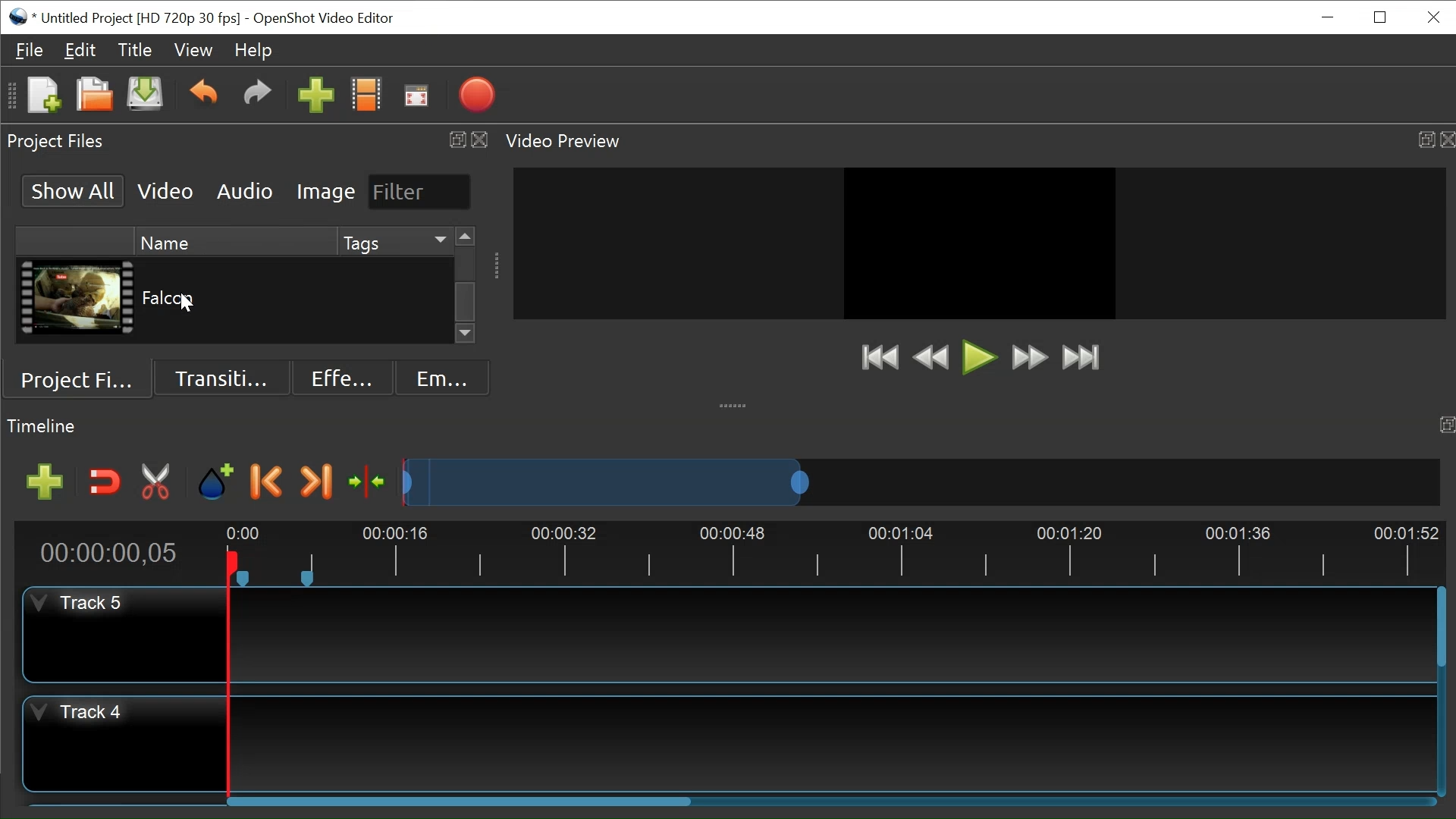 This screenshot has height=819, width=1456. I want to click on Import Files, so click(315, 96).